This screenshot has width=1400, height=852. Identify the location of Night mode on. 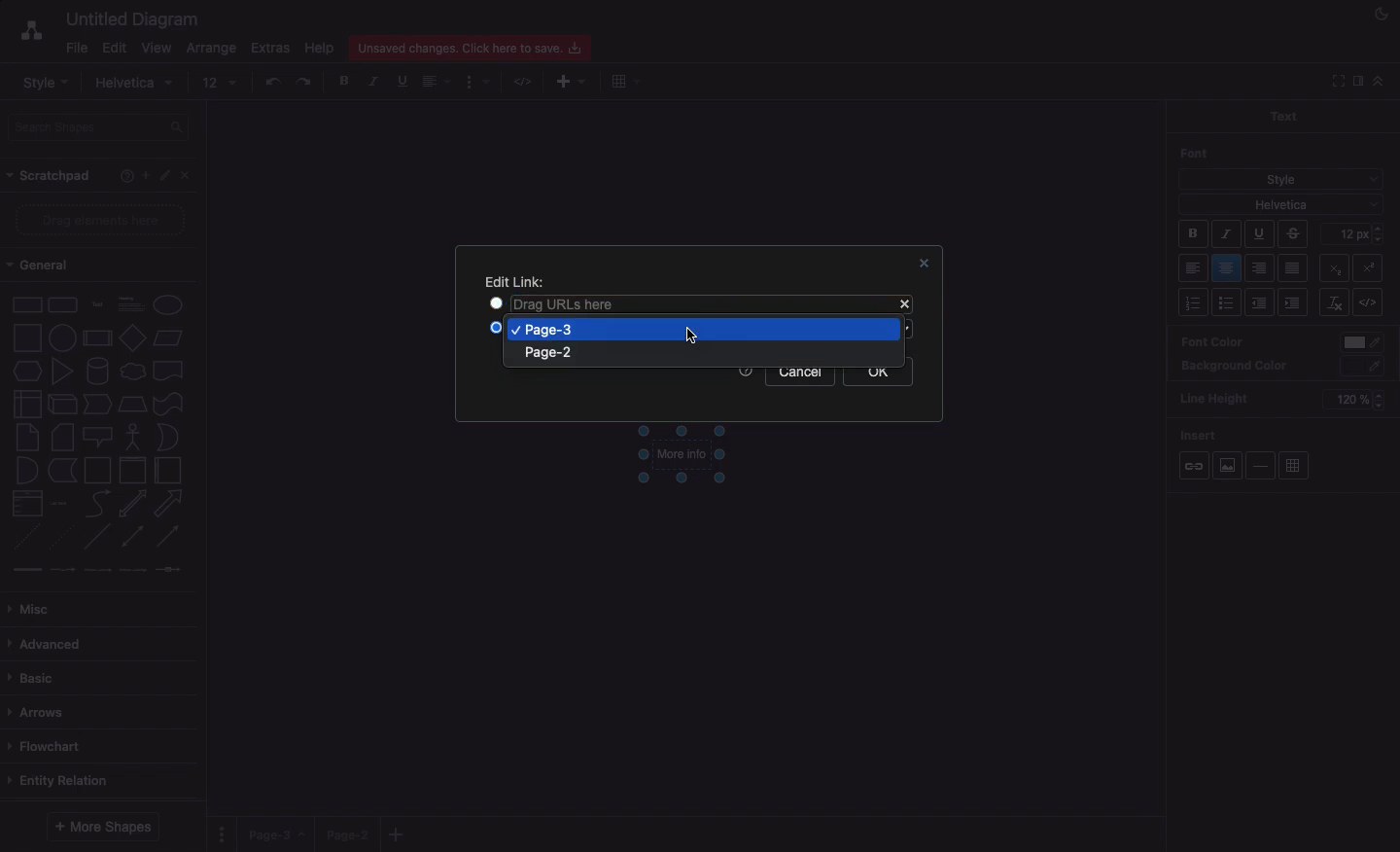
(1380, 15).